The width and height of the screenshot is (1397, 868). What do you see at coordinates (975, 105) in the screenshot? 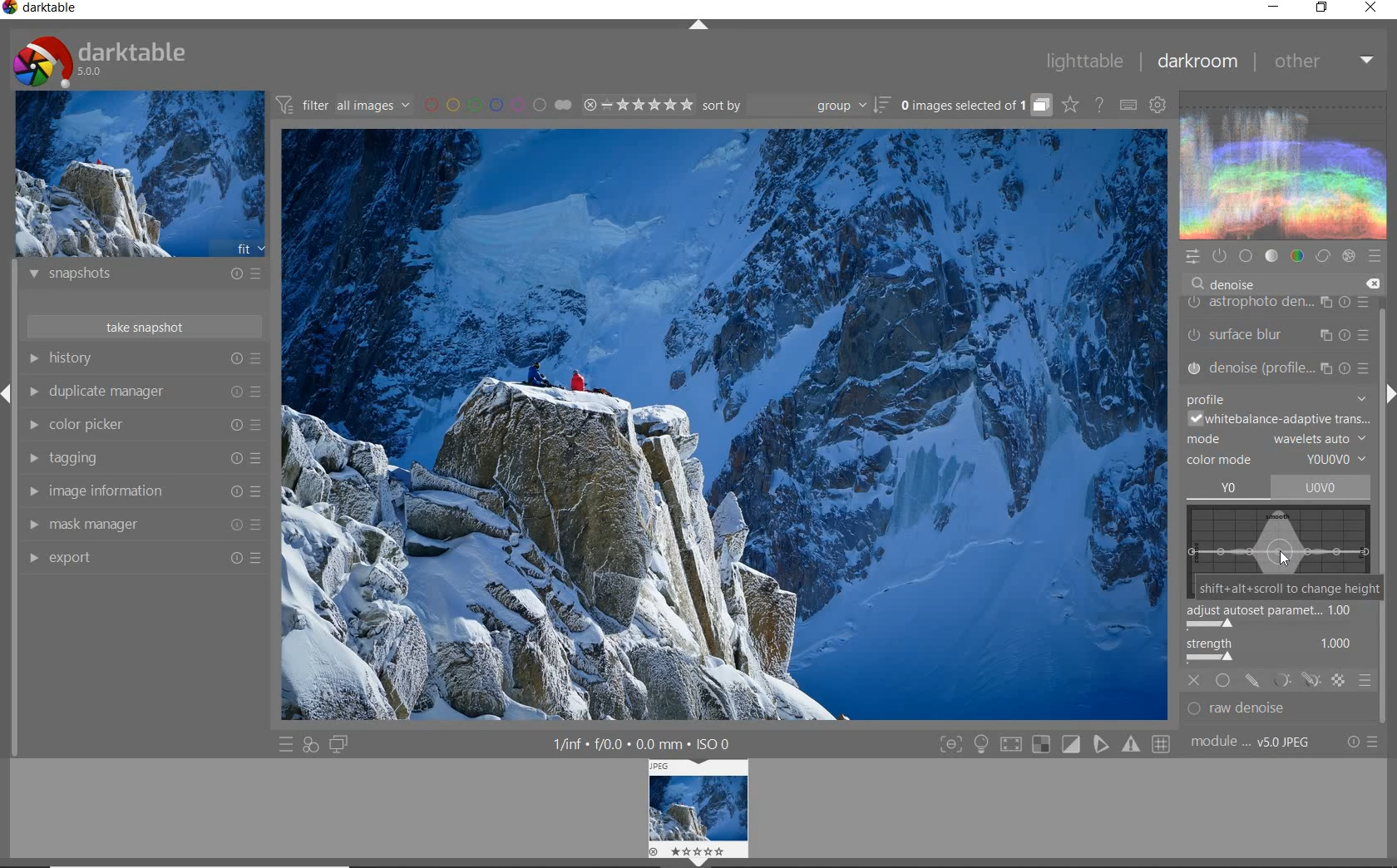
I see `grouped images` at bounding box center [975, 105].